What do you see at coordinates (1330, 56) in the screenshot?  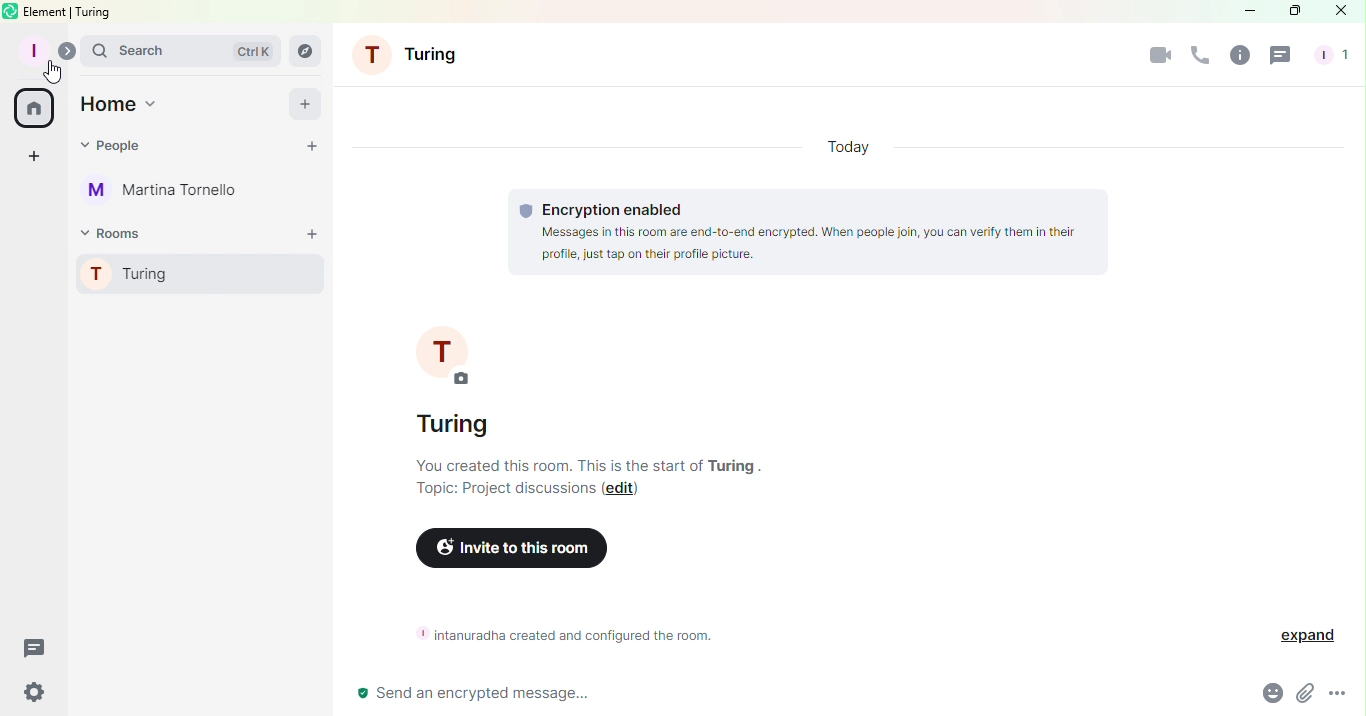 I see `People` at bounding box center [1330, 56].